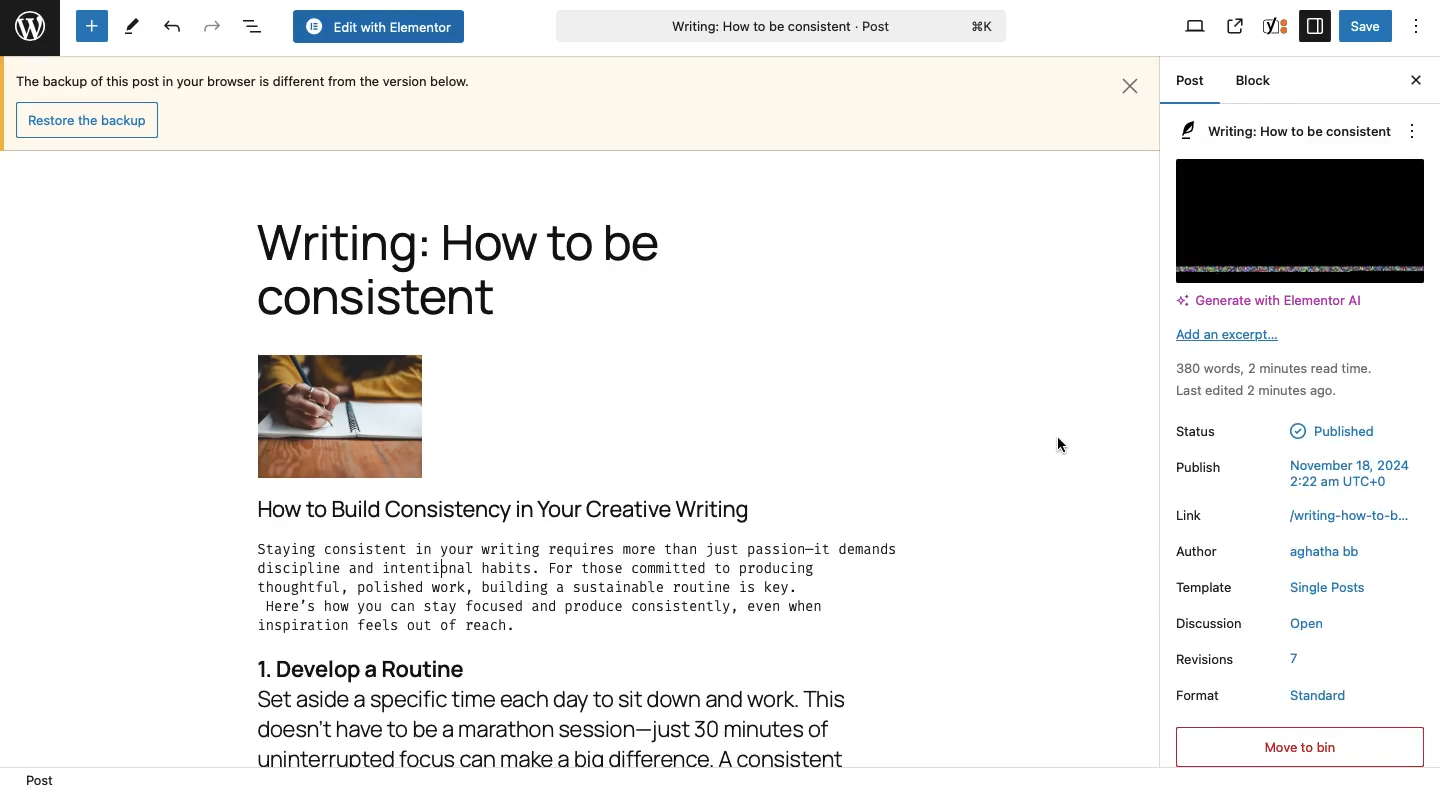  What do you see at coordinates (1261, 81) in the screenshot?
I see `Block` at bounding box center [1261, 81].